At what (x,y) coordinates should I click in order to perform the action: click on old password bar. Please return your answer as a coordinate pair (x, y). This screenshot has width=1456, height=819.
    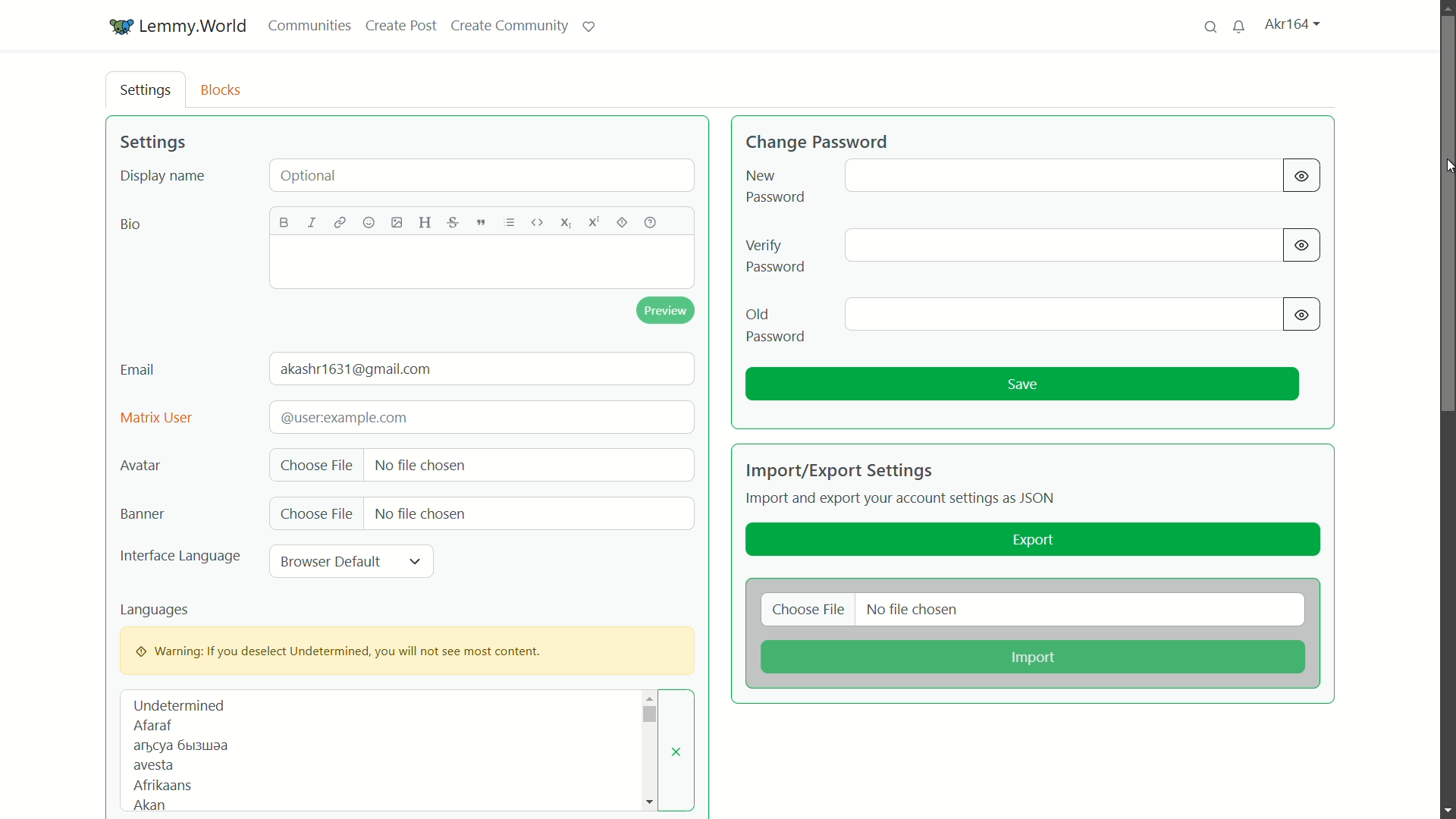
    Looking at the image, I should click on (1064, 314).